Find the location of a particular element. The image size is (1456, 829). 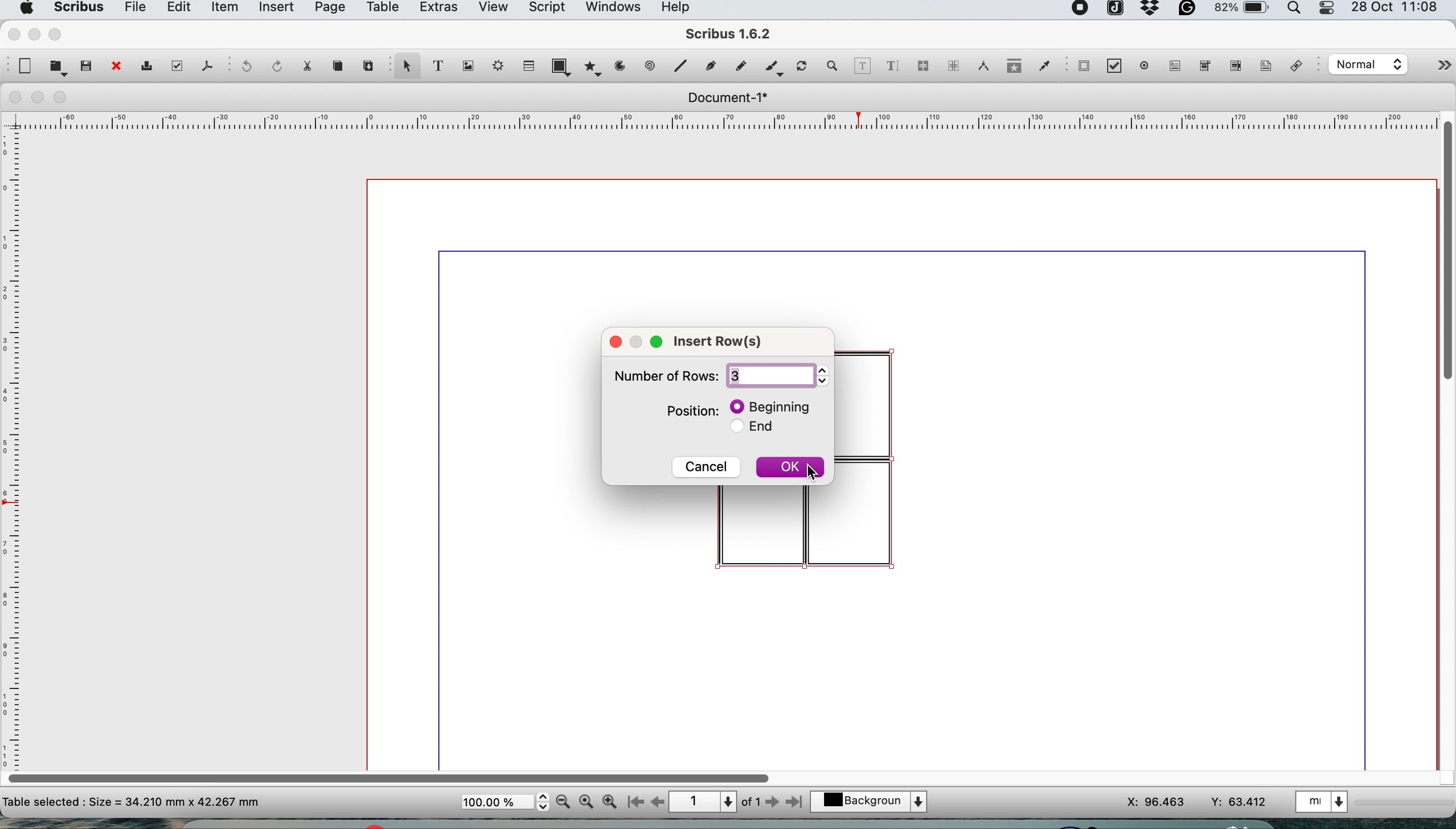

preflight verifier is located at coordinates (174, 65).